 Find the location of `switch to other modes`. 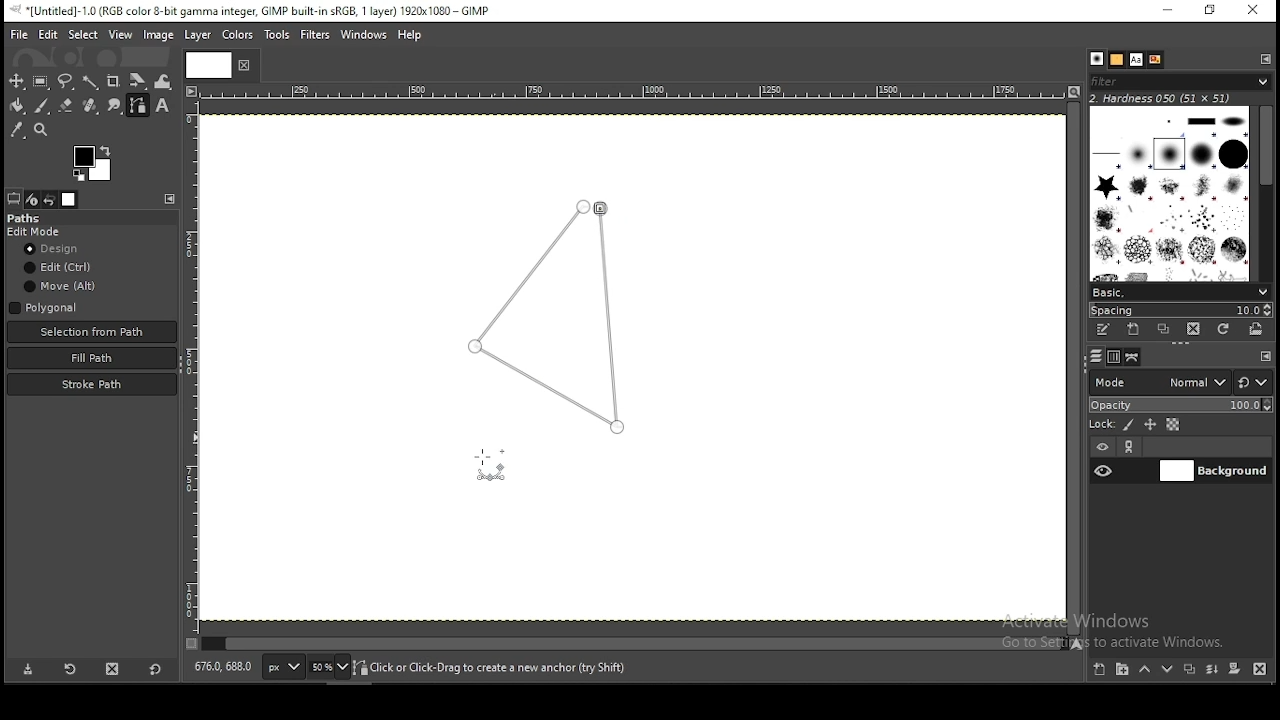

switch to other modes is located at coordinates (1255, 382).